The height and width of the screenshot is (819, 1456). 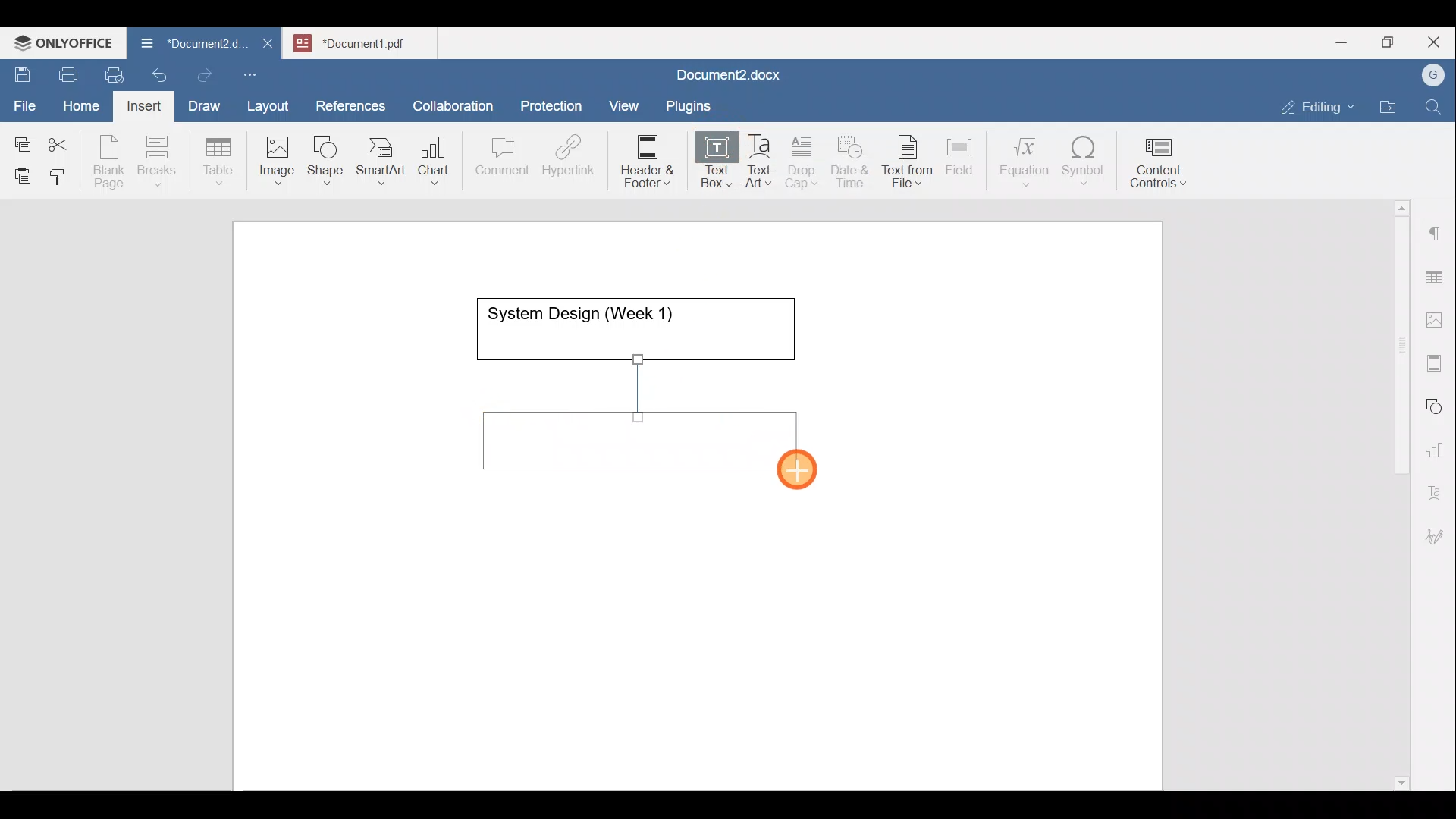 I want to click on Text box, so click(x=706, y=162).